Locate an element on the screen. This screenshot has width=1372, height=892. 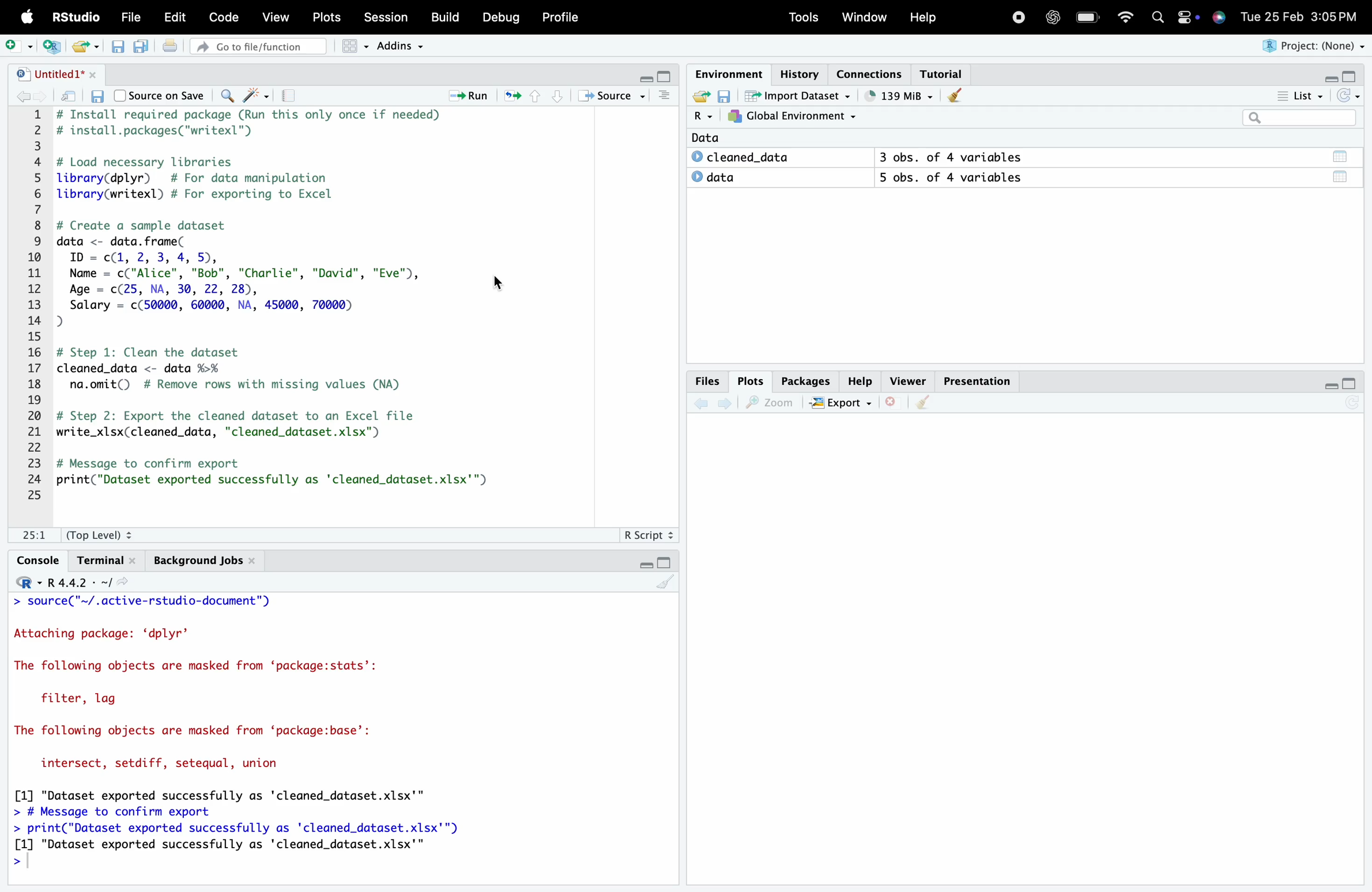
Refresh the list of objects in the environment is located at coordinates (1348, 97).